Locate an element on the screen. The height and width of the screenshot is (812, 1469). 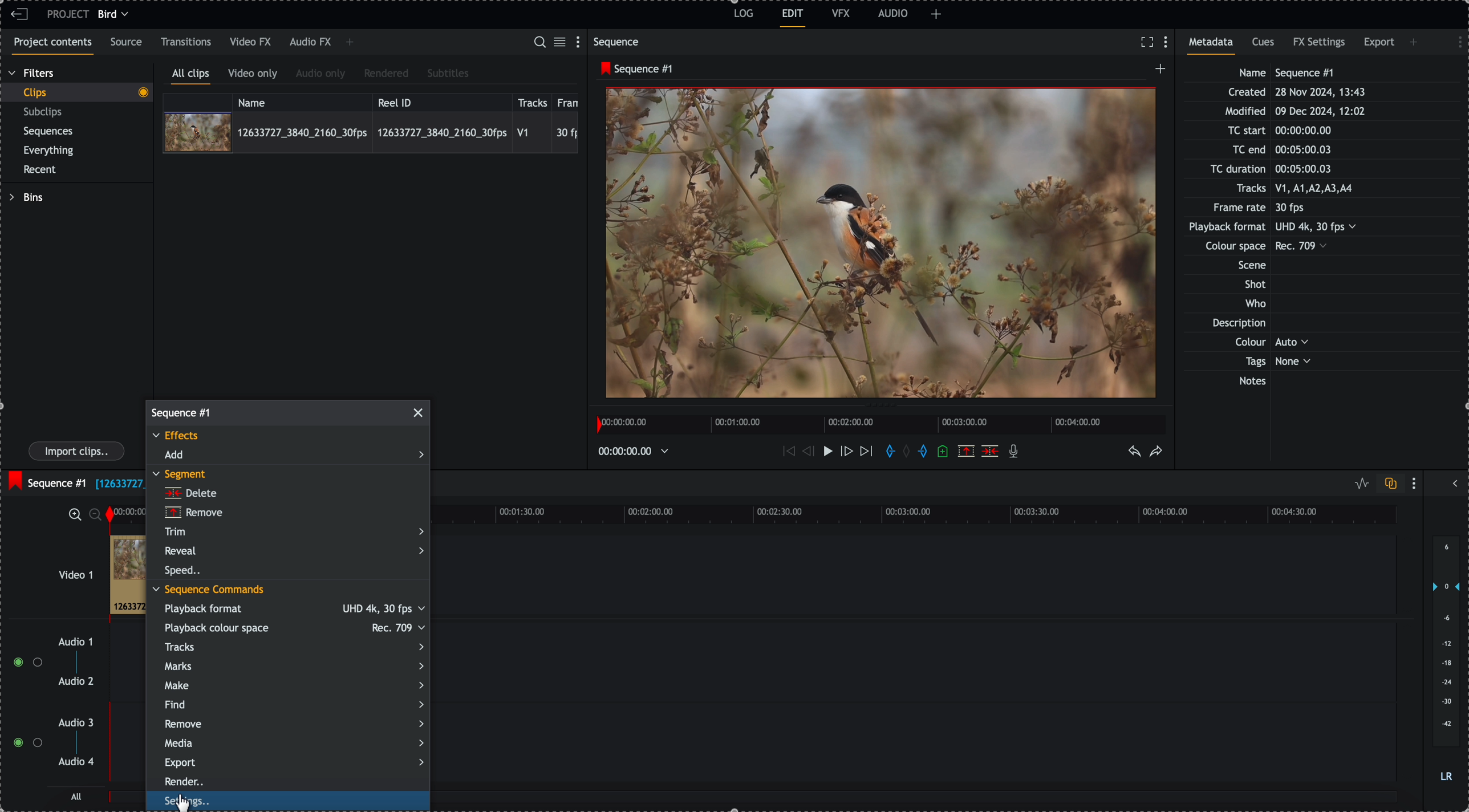
video FX is located at coordinates (251, 42).